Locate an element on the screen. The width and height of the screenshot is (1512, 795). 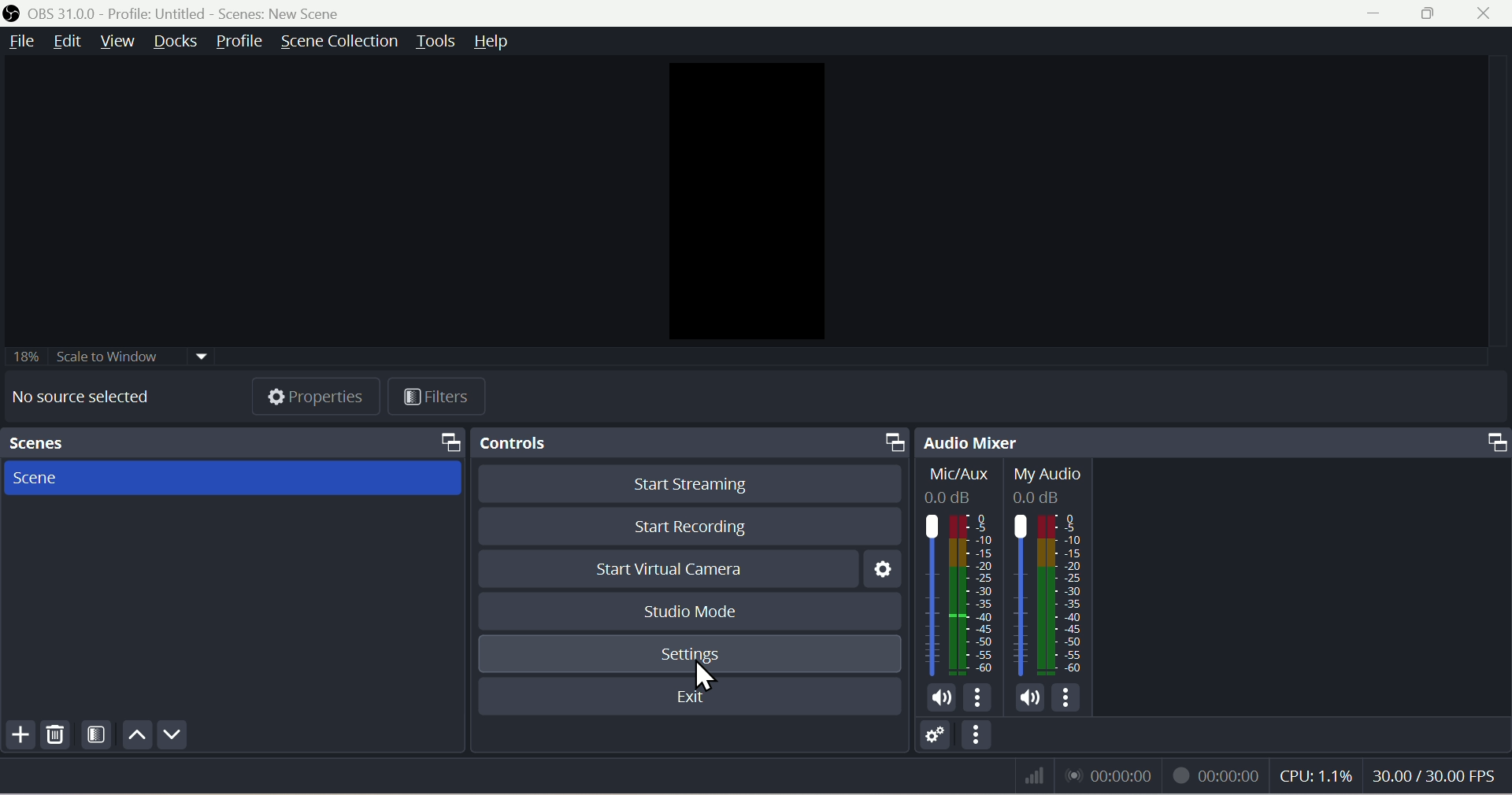
Minimiza is located at coordinates (1371, 14).